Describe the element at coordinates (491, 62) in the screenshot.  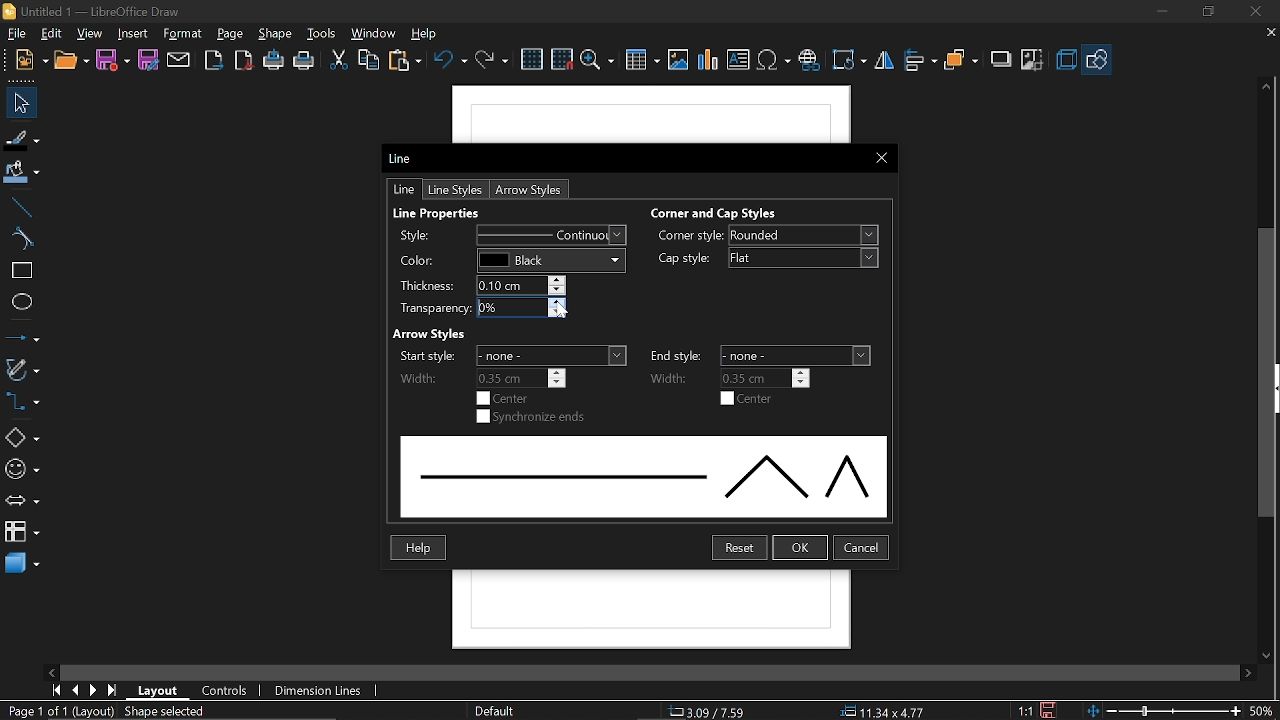
I see `redo` at that location.